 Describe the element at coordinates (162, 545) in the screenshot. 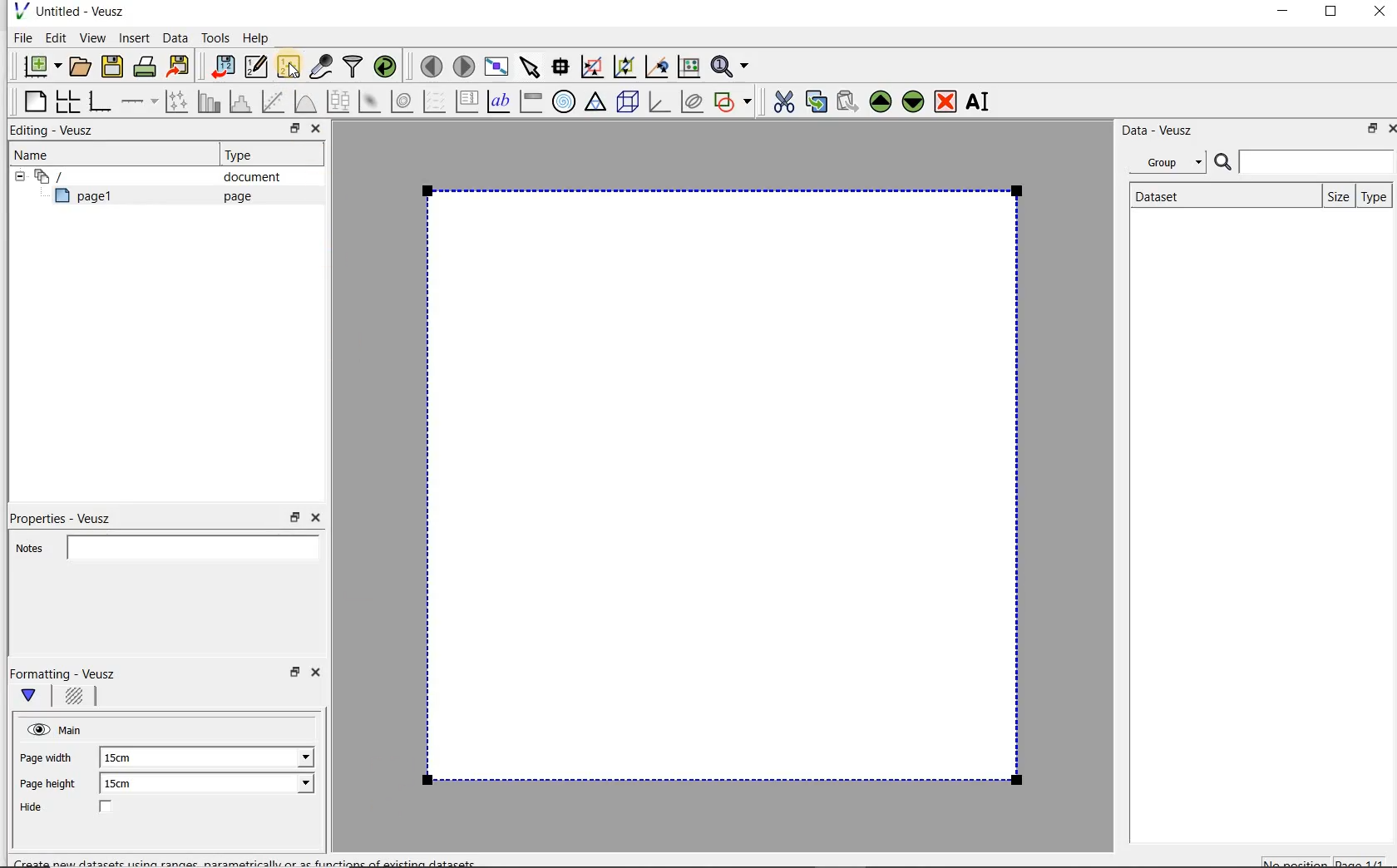

I see `Notes` at that location.